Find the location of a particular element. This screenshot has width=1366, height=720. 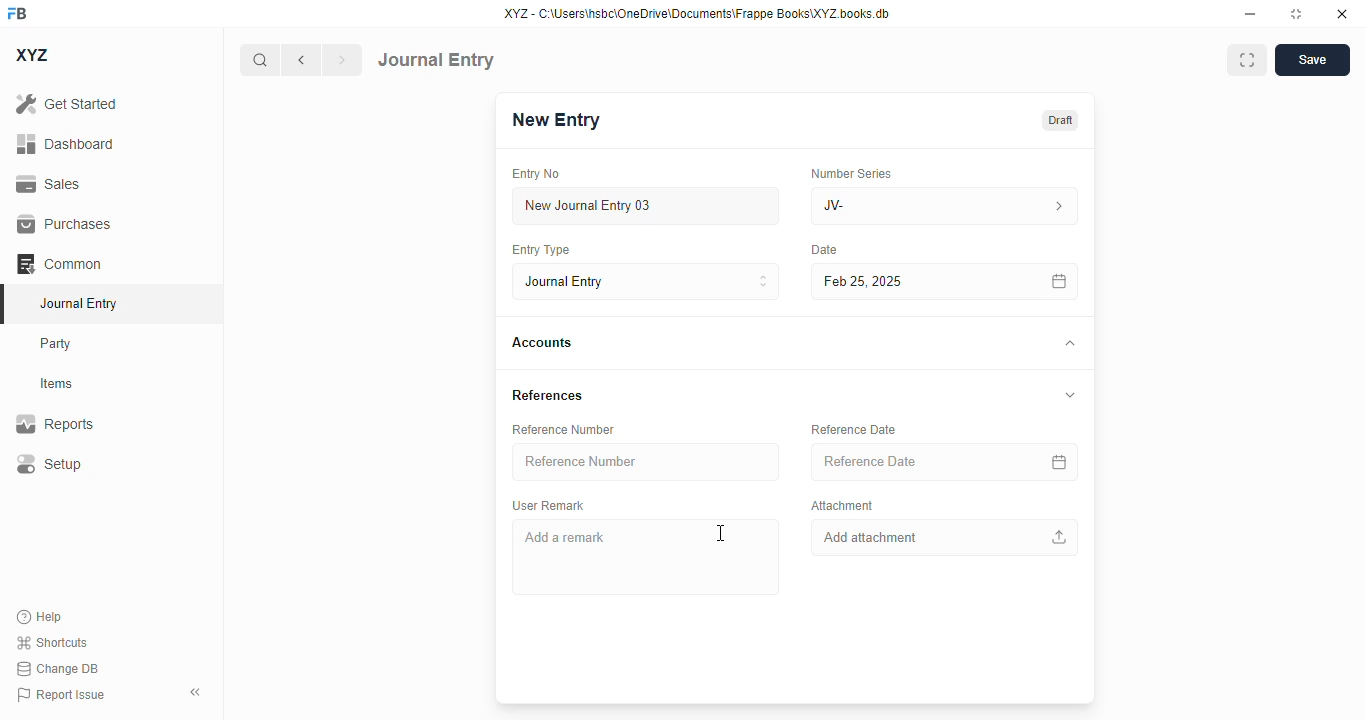

change DB is located at coordinates (58, 668).